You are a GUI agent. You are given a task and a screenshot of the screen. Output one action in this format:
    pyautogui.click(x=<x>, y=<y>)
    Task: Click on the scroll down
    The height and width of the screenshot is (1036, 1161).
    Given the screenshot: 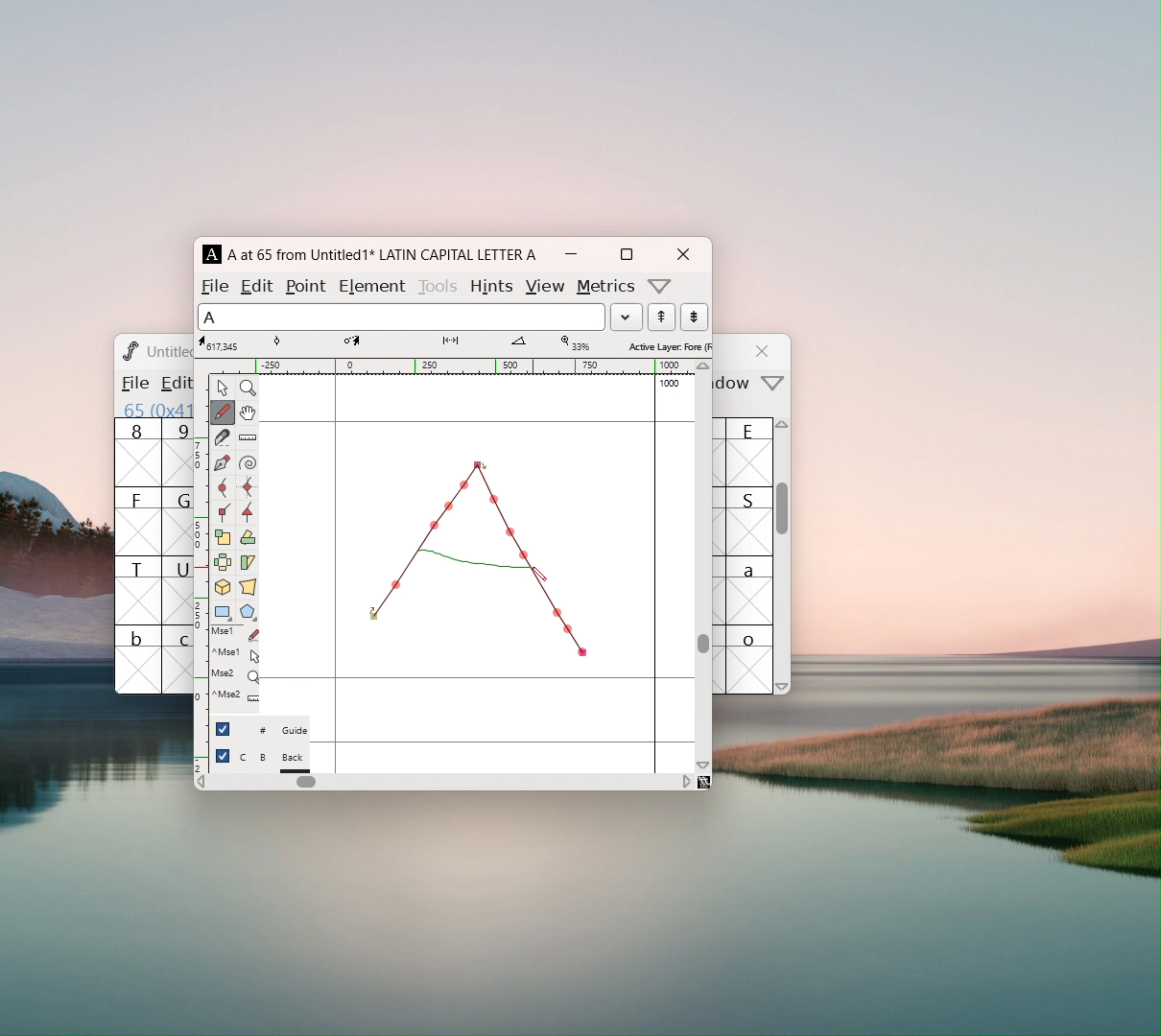 What is the action you would take?
    pyautogui.click(x=703, y=765)
    